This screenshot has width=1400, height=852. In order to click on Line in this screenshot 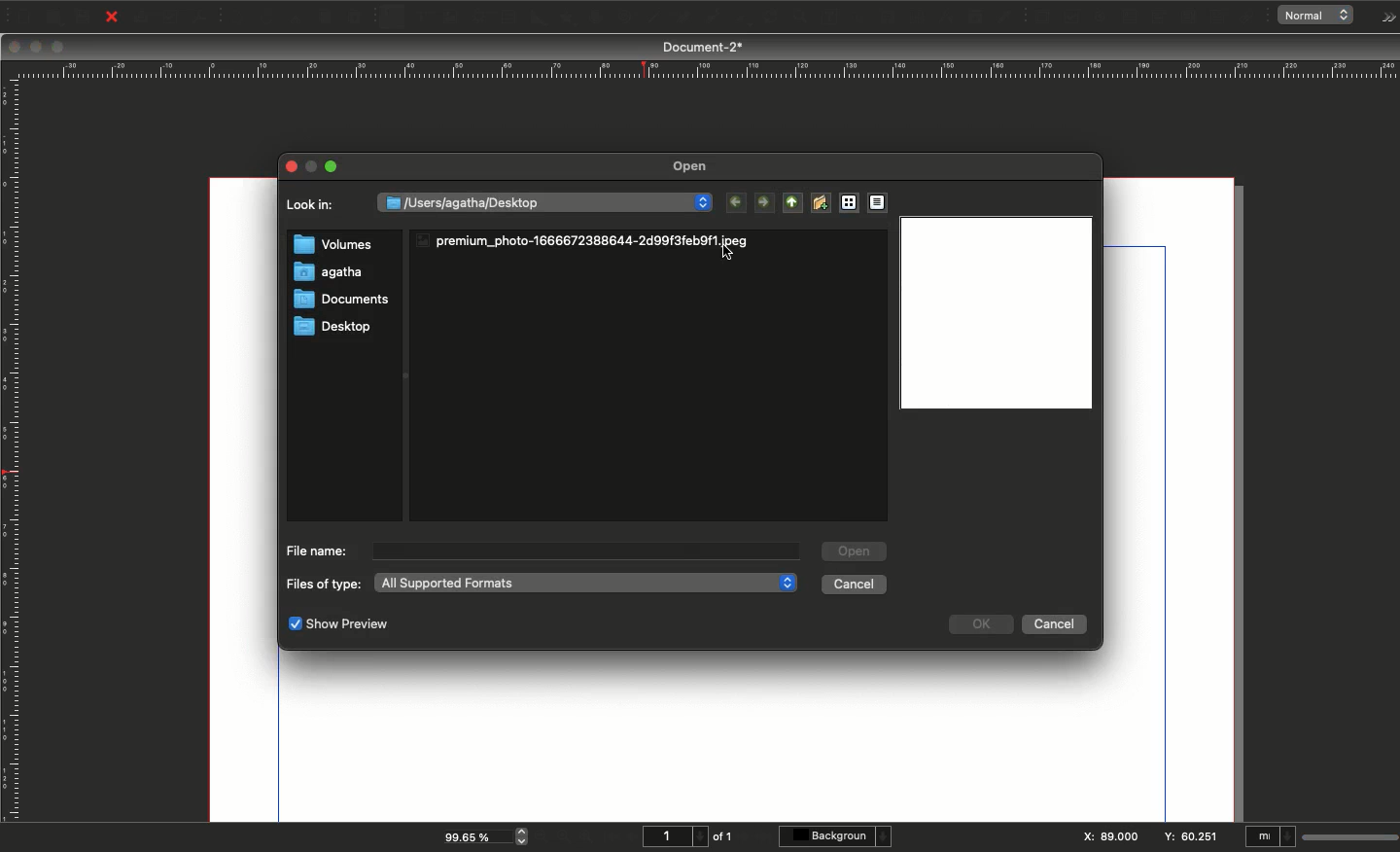, I will do `click(652, 18)`.